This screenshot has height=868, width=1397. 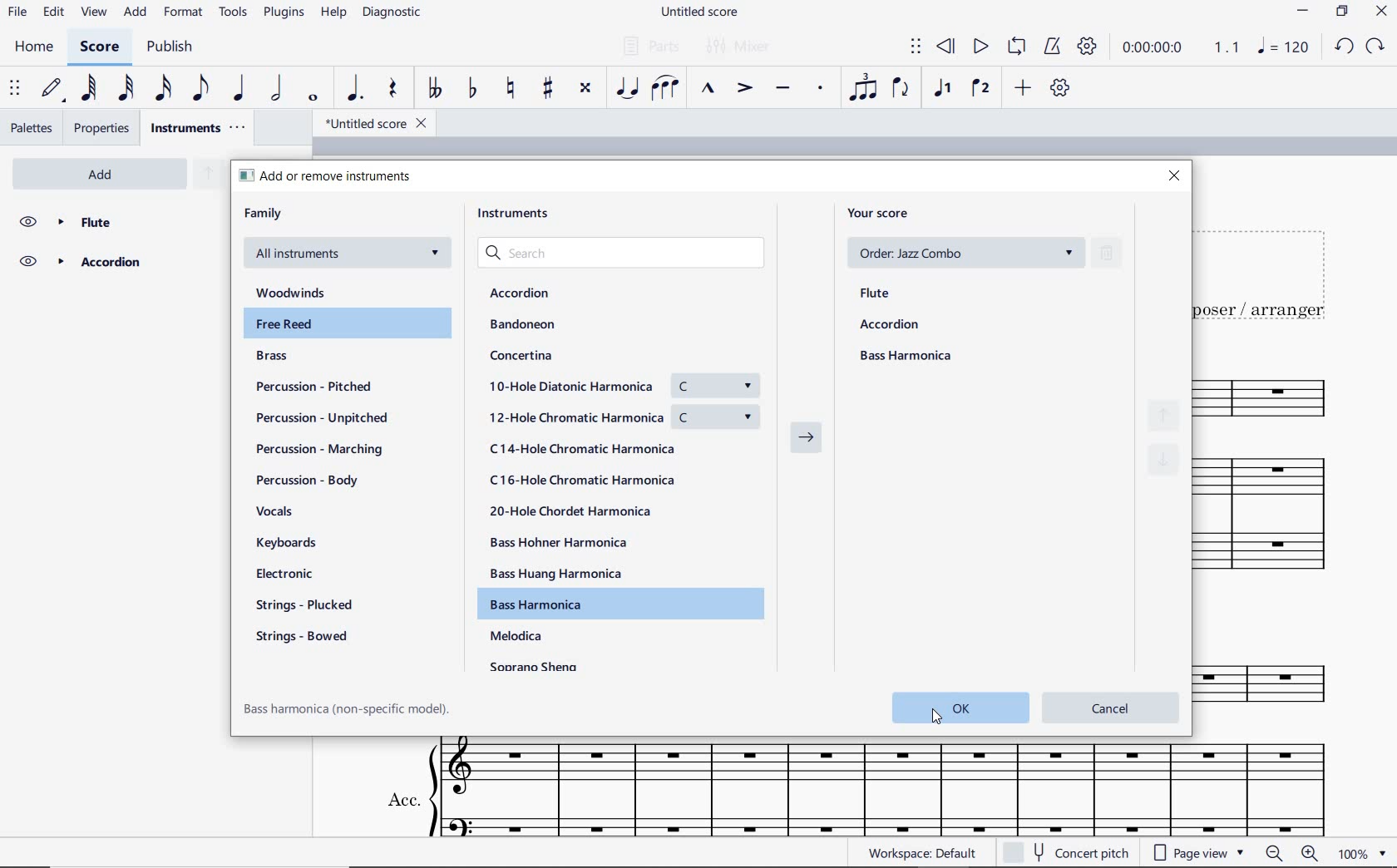 I want to click on flute, so click(x=116, y=220).